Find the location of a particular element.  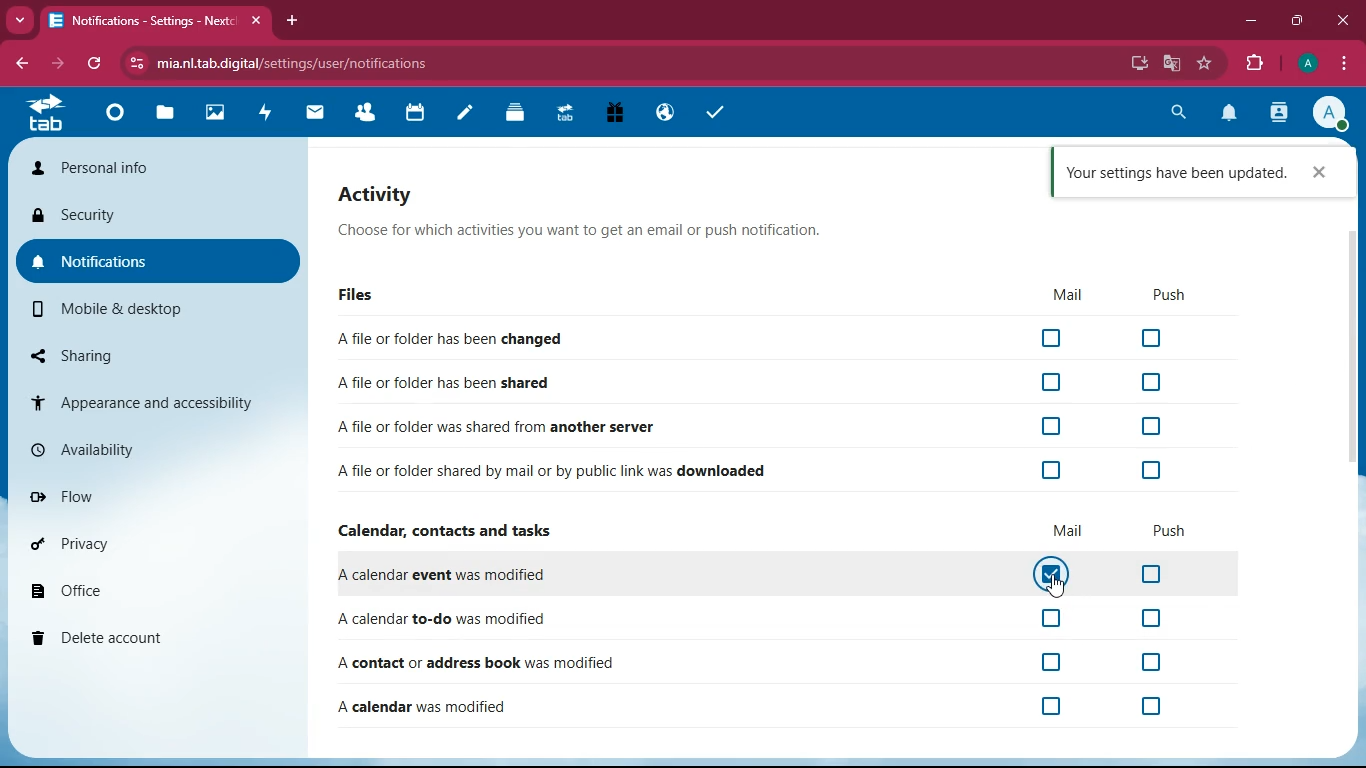

Upgrade is located at coordinates (566, 115).